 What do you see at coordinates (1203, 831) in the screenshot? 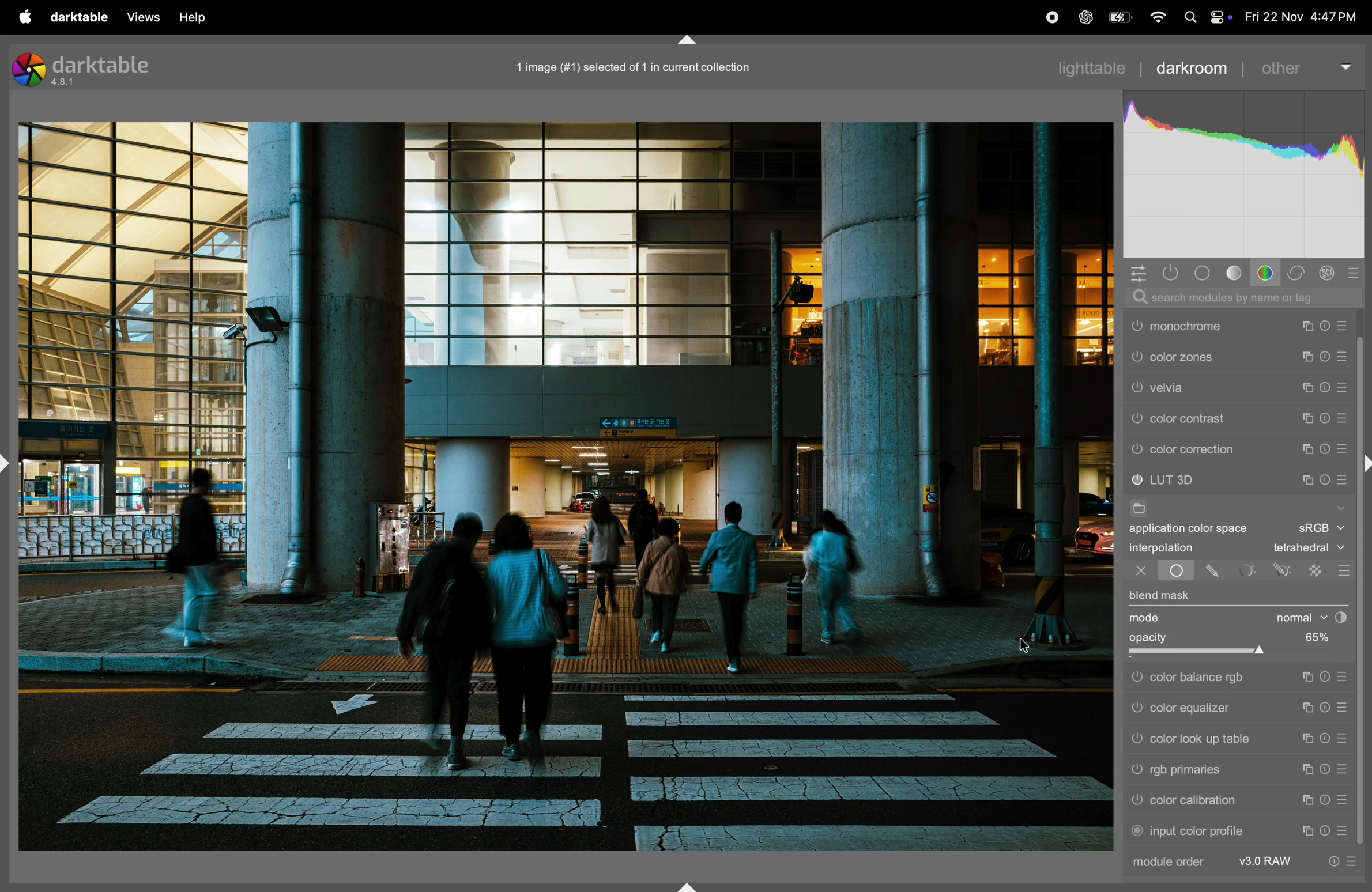
I see `input color profile` at bounding box center [1203, 831].